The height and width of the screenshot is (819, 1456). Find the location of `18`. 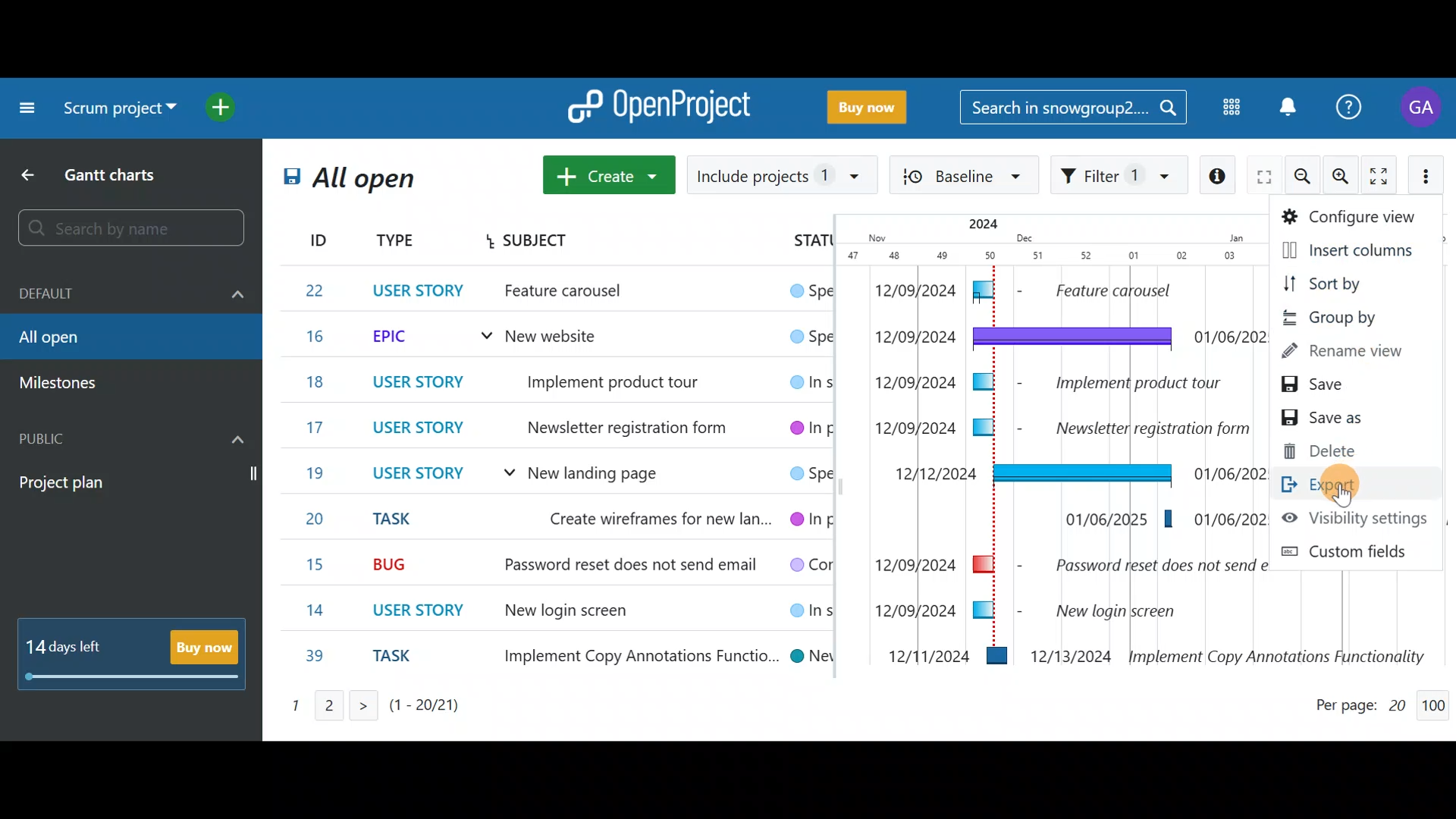

18 is located at coordinates (314, 383).